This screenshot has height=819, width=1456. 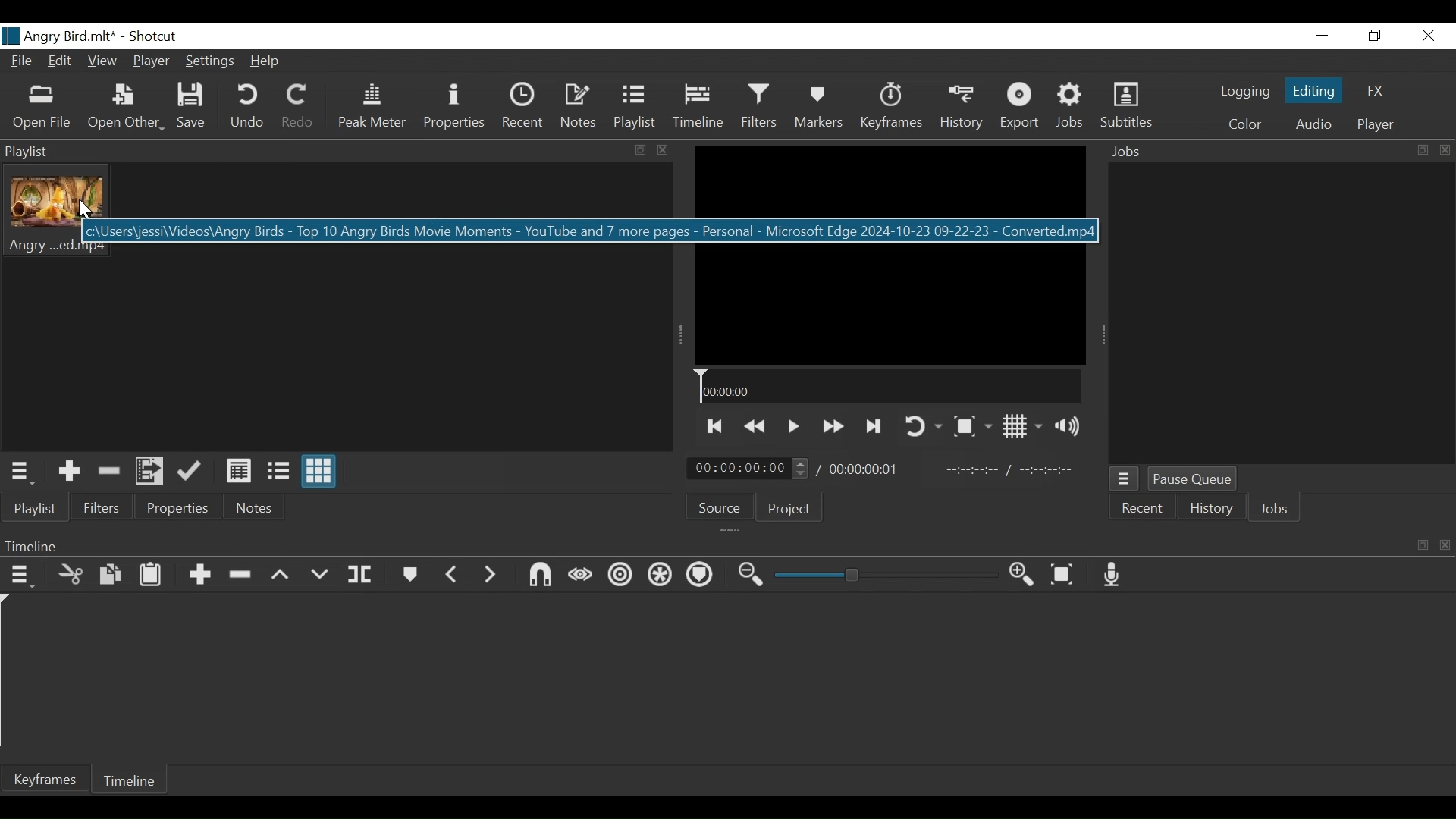 What do you see at coordinates (124, 108) in the screenshot?
I see `Open Other` at bounding box center [124, 108].